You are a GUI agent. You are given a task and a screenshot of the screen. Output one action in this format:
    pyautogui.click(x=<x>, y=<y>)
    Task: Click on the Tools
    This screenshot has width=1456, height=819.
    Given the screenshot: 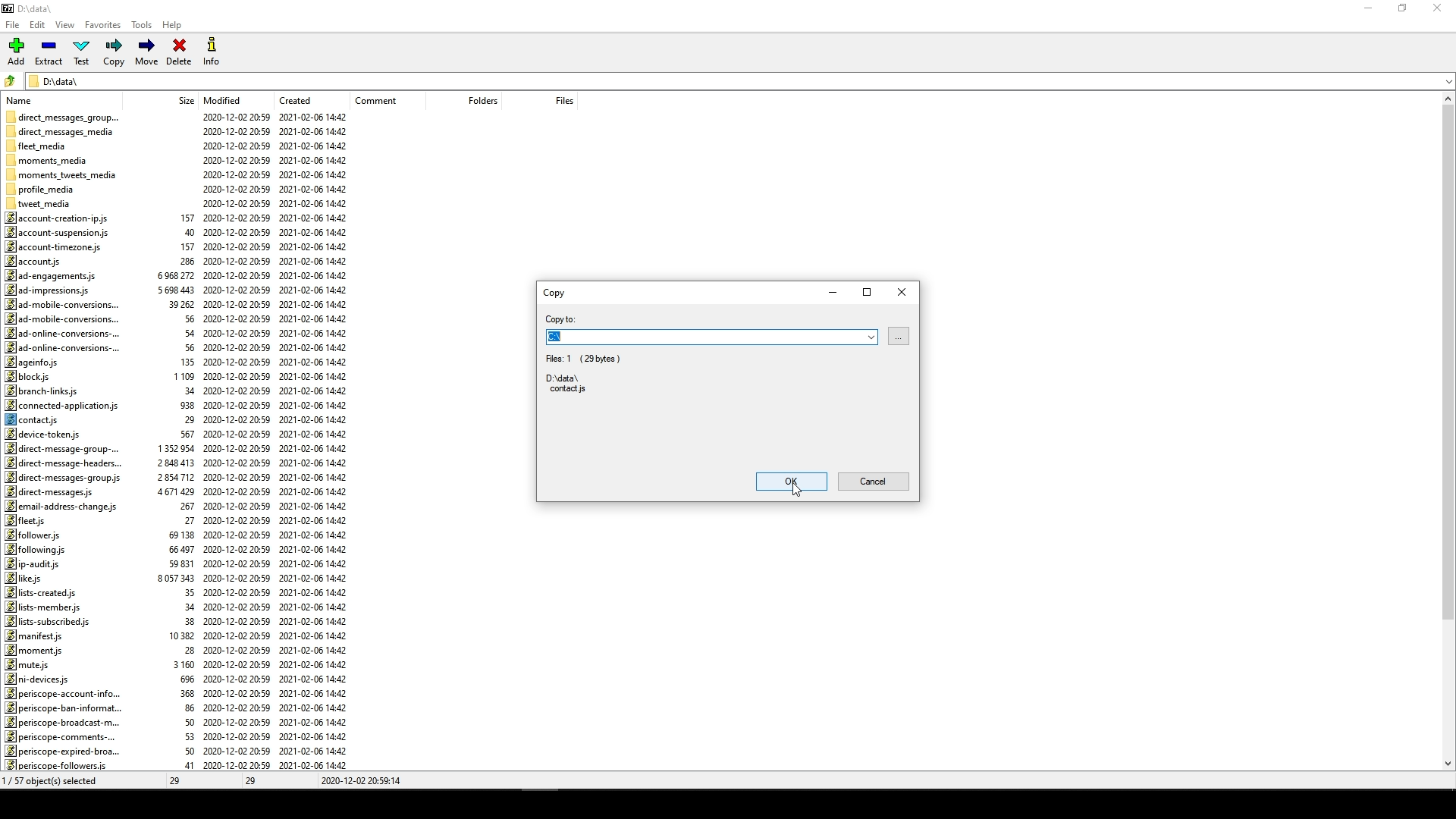 What is the action you would take?
    pyautogui.click(x=140, y=26)
    